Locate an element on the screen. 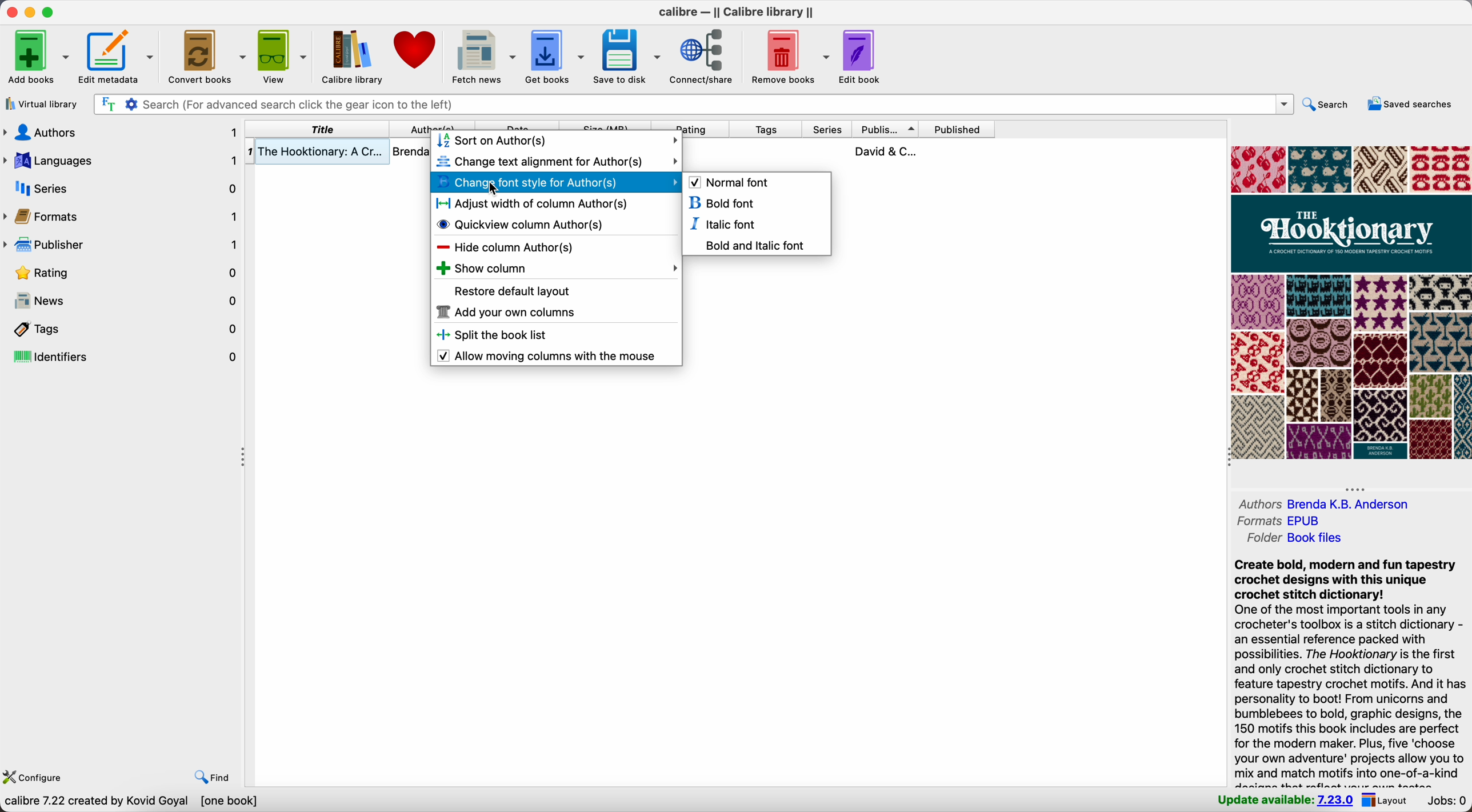  click on author(s) is located at coordinates (434, 125).